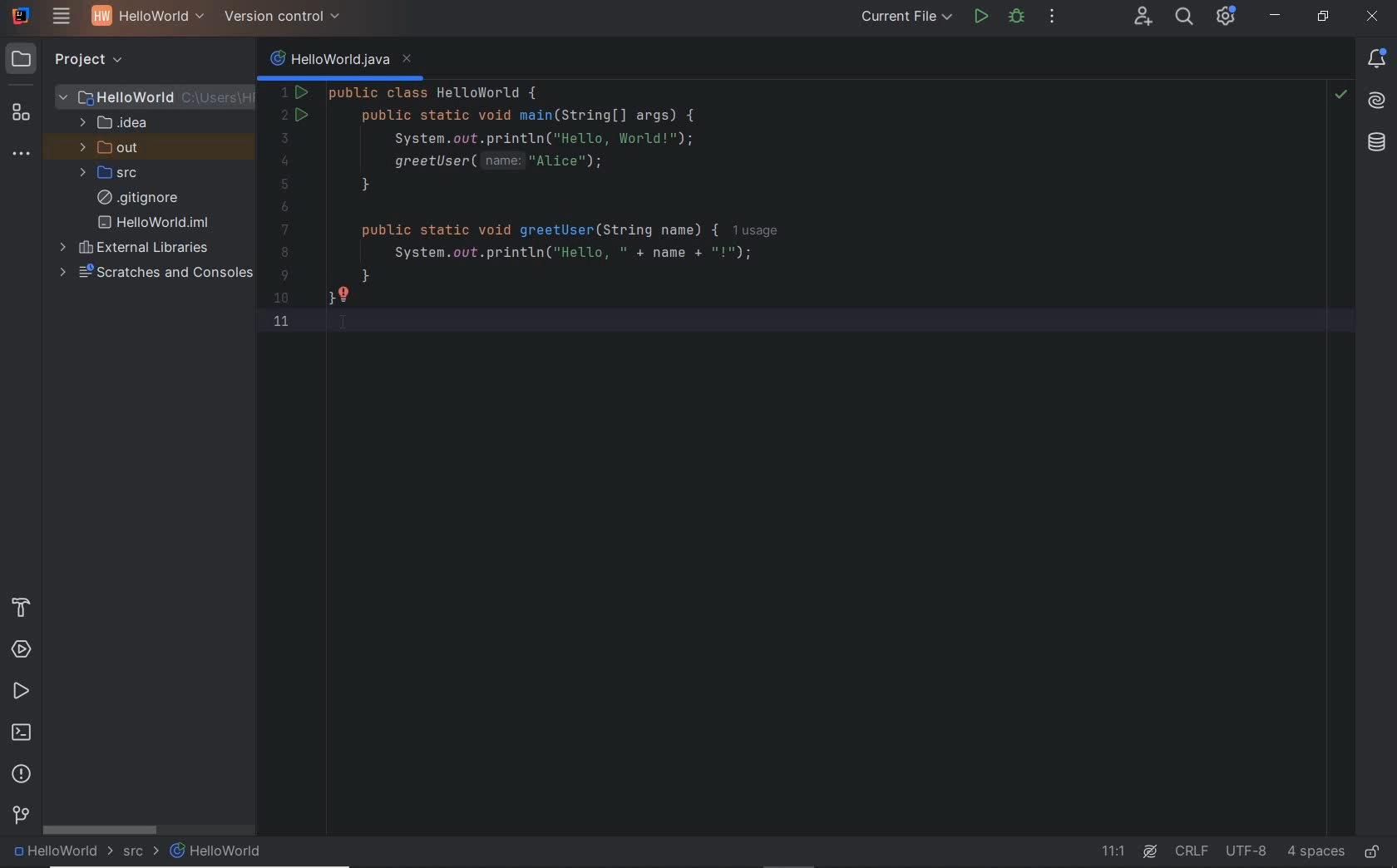 The height and width of the screenshot is (868, 1397). Describe the element at coordinates (1143, 16) in the screenshot. I see `code with me` at that location.